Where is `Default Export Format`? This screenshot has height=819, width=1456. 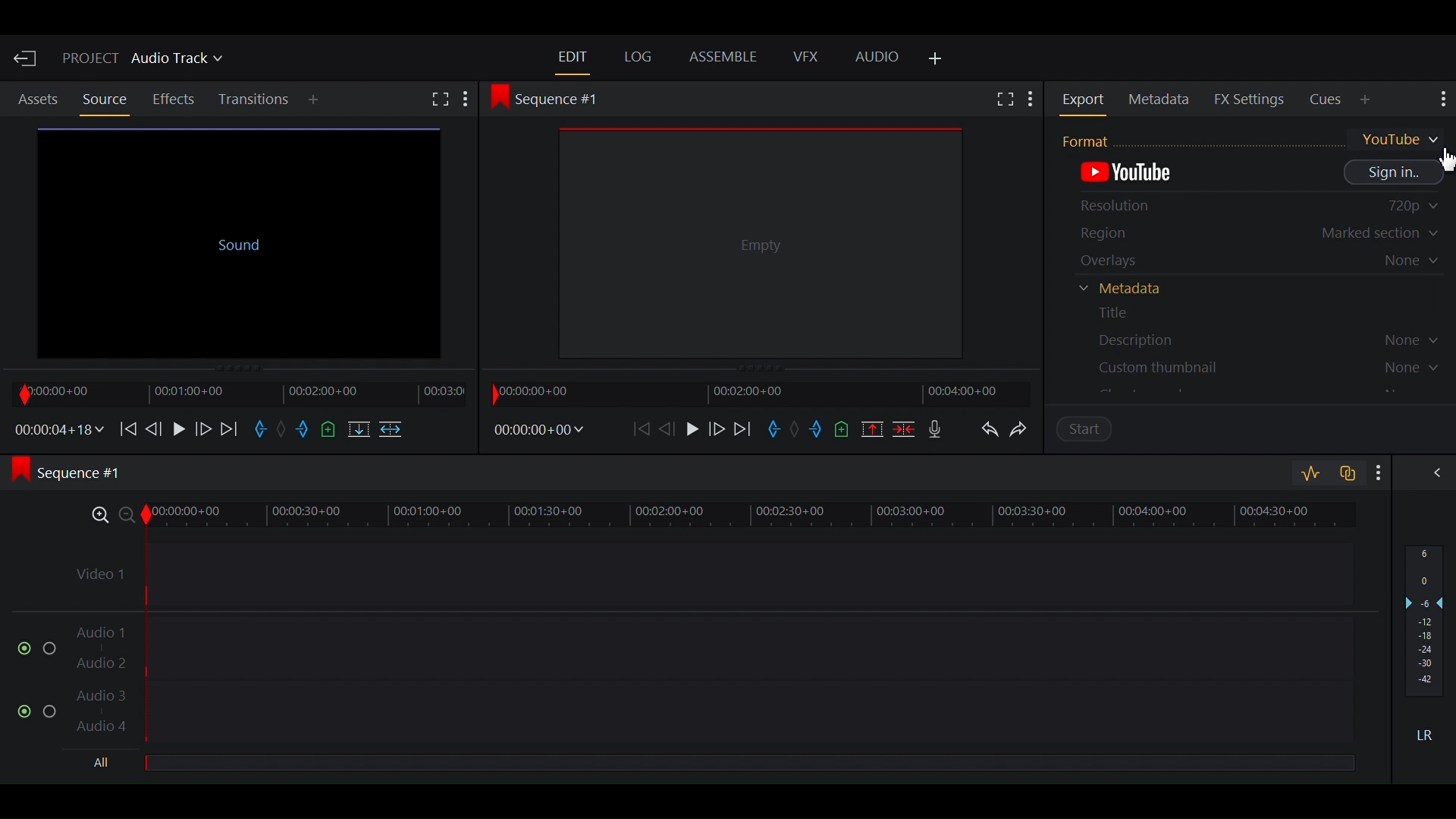
Default Export Format is located at coordinates (1132, 174).